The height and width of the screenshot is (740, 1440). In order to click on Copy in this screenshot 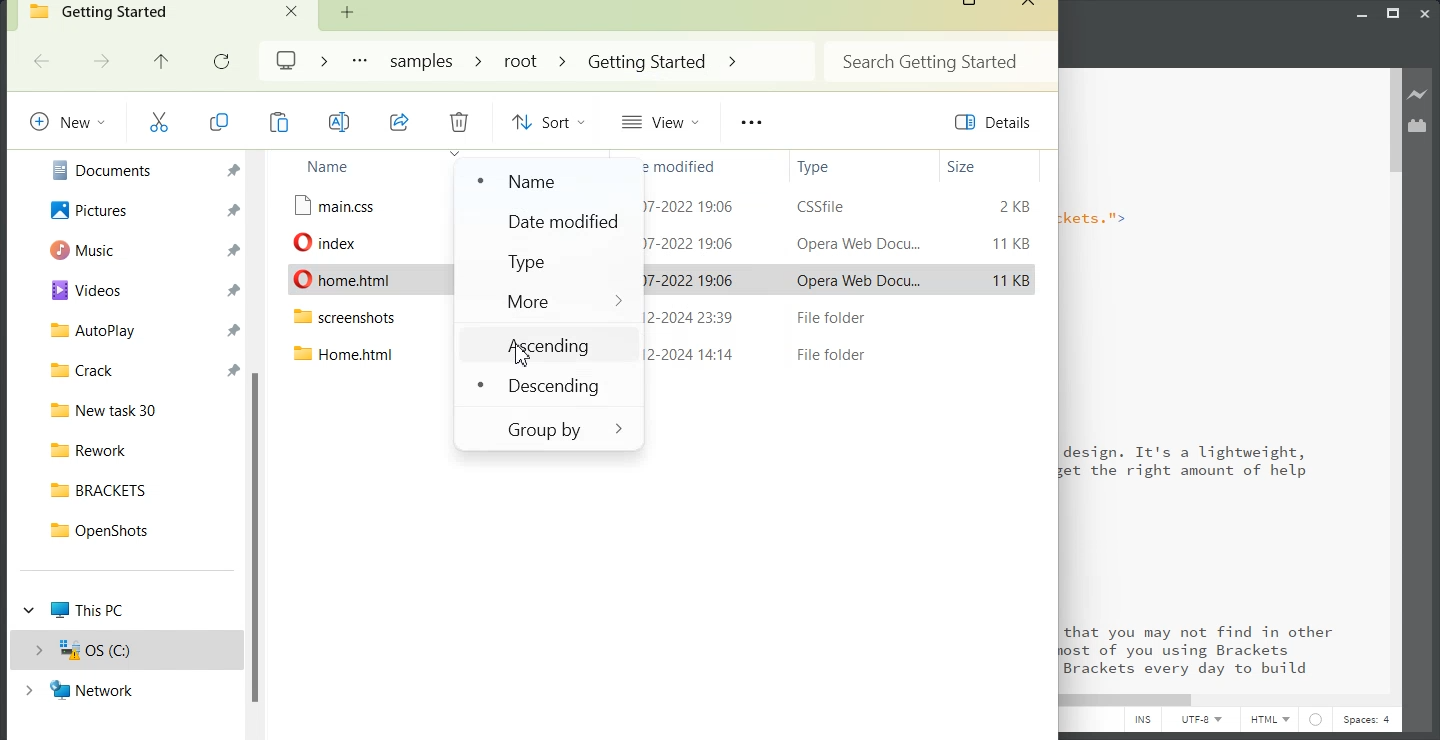, I will do `click(279, 122)`.